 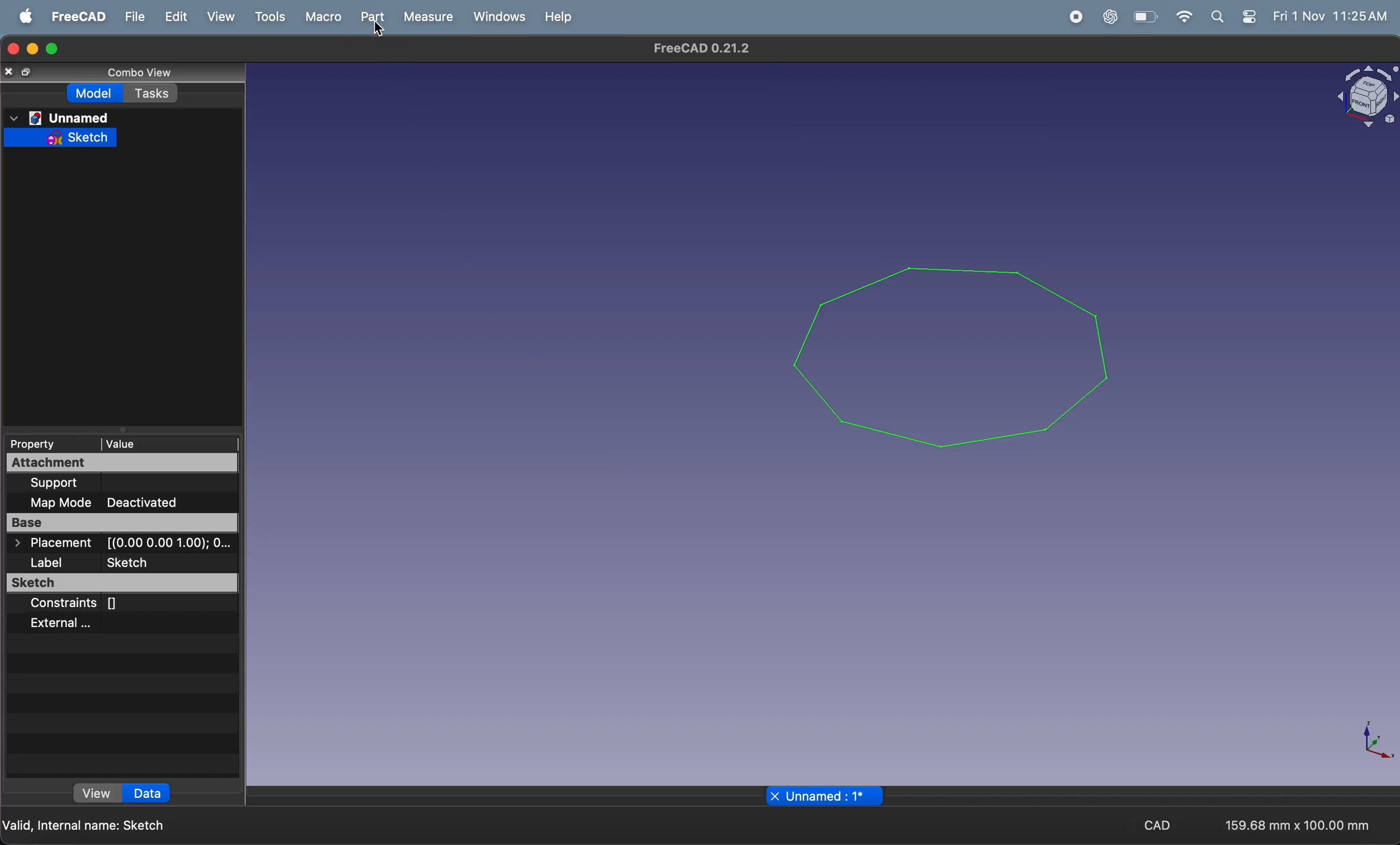 What do you see at coordinates (268, 16) in the screenshot?
I see `tools` at bounding box center [268, 16].